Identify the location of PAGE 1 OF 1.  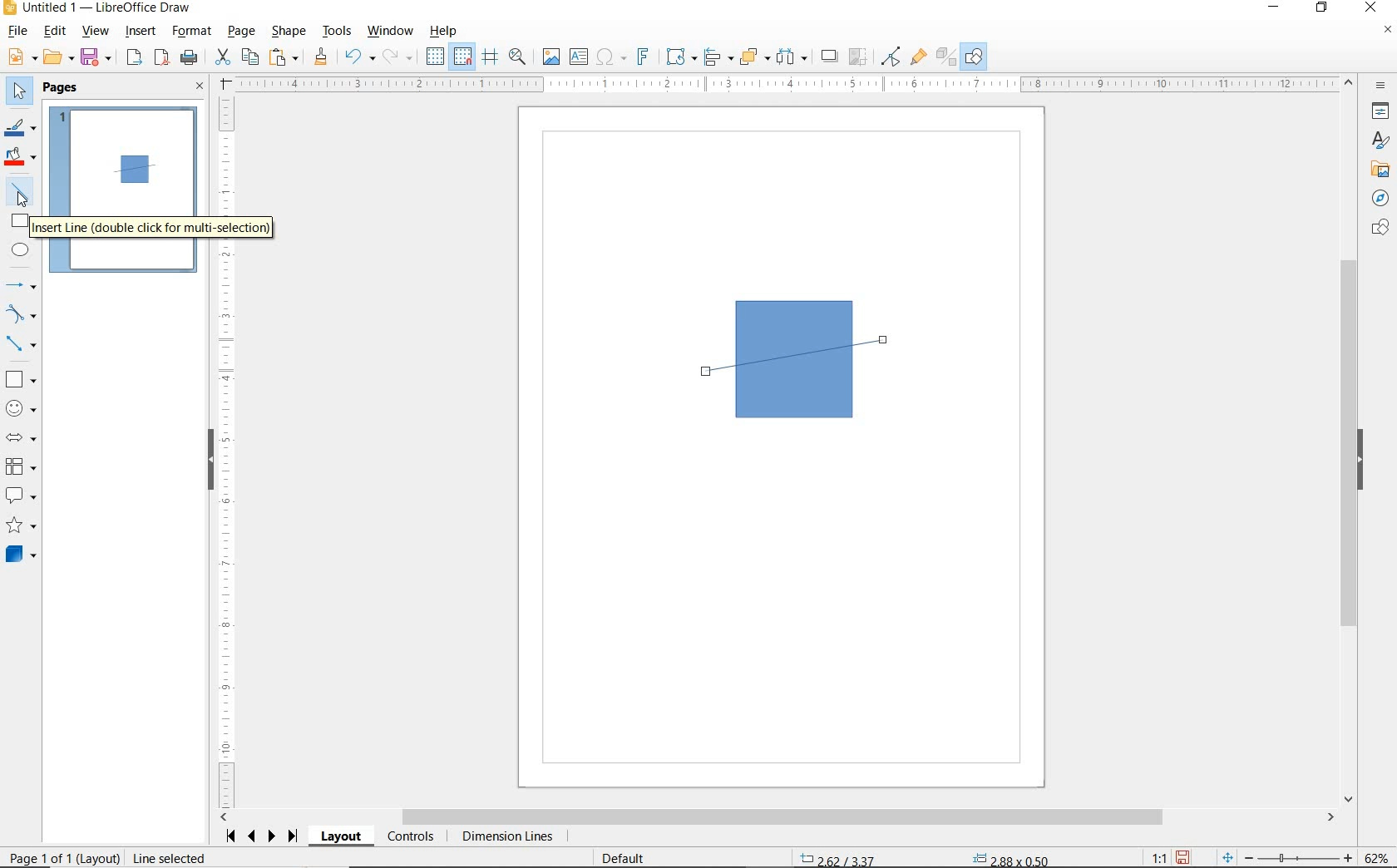
(60, 860).